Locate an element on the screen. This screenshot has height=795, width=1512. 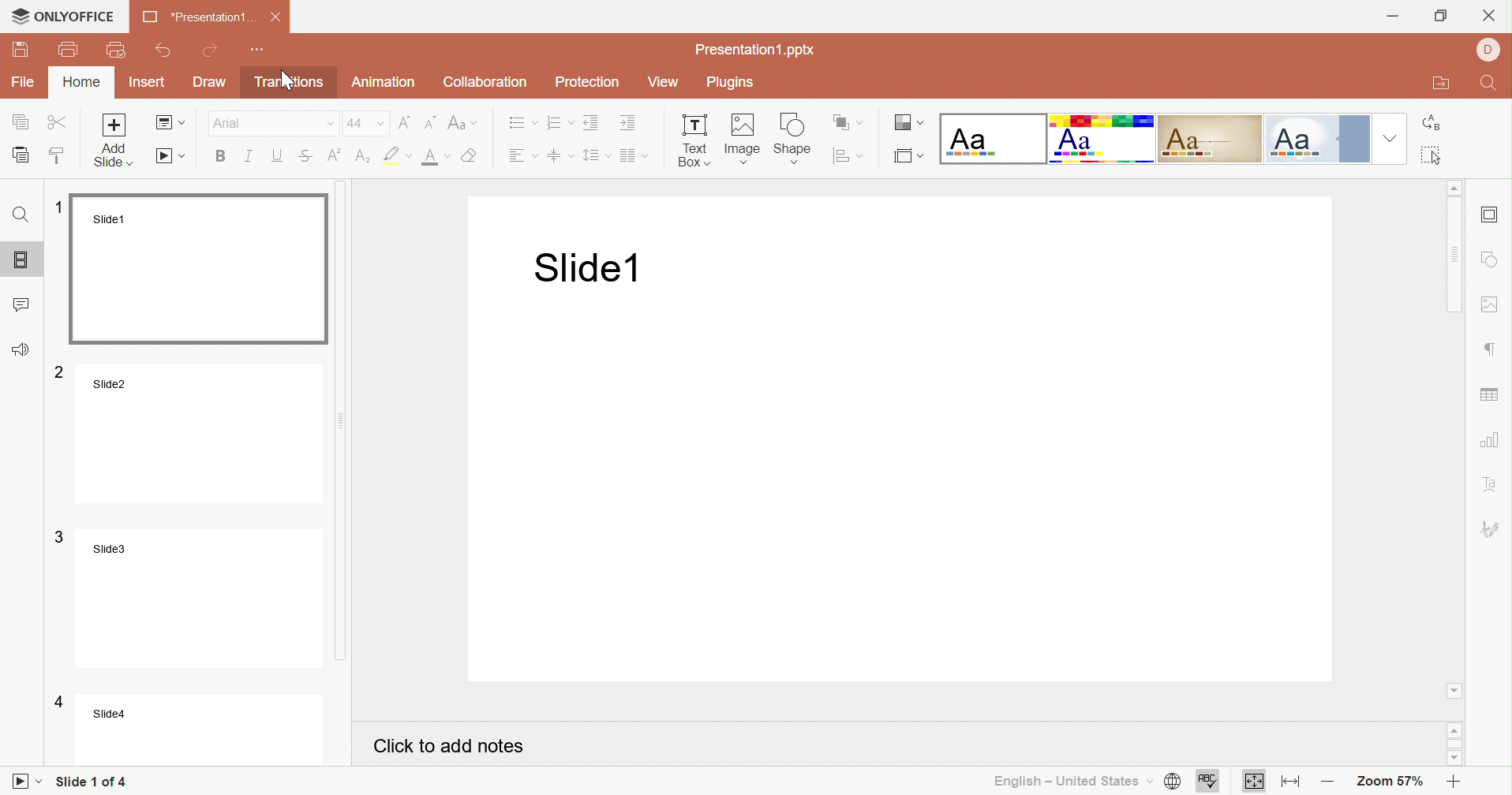
Quick print is located at coordinates (116, 50).